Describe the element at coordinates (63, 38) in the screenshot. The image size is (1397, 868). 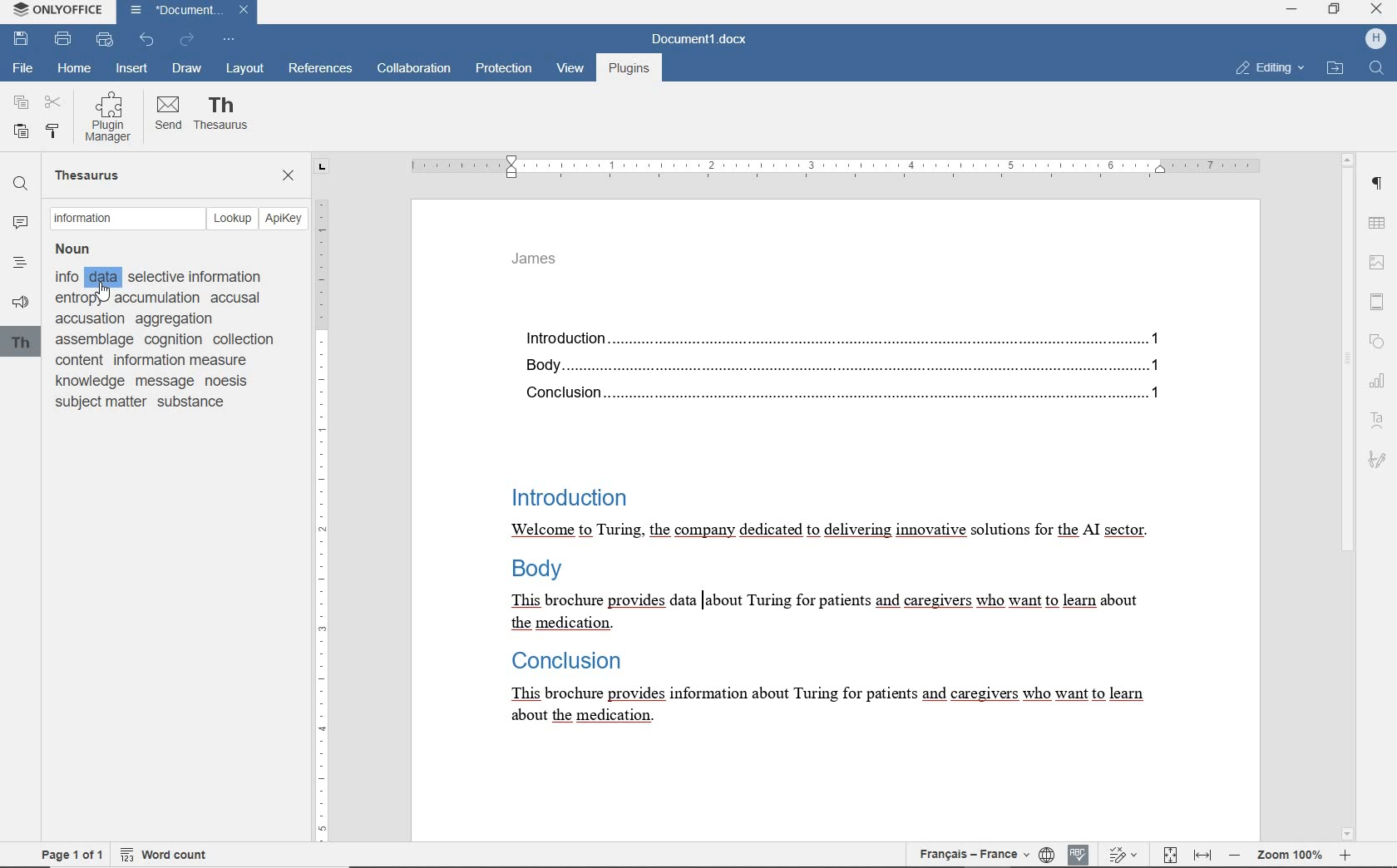
I see `PRINT` at that location.